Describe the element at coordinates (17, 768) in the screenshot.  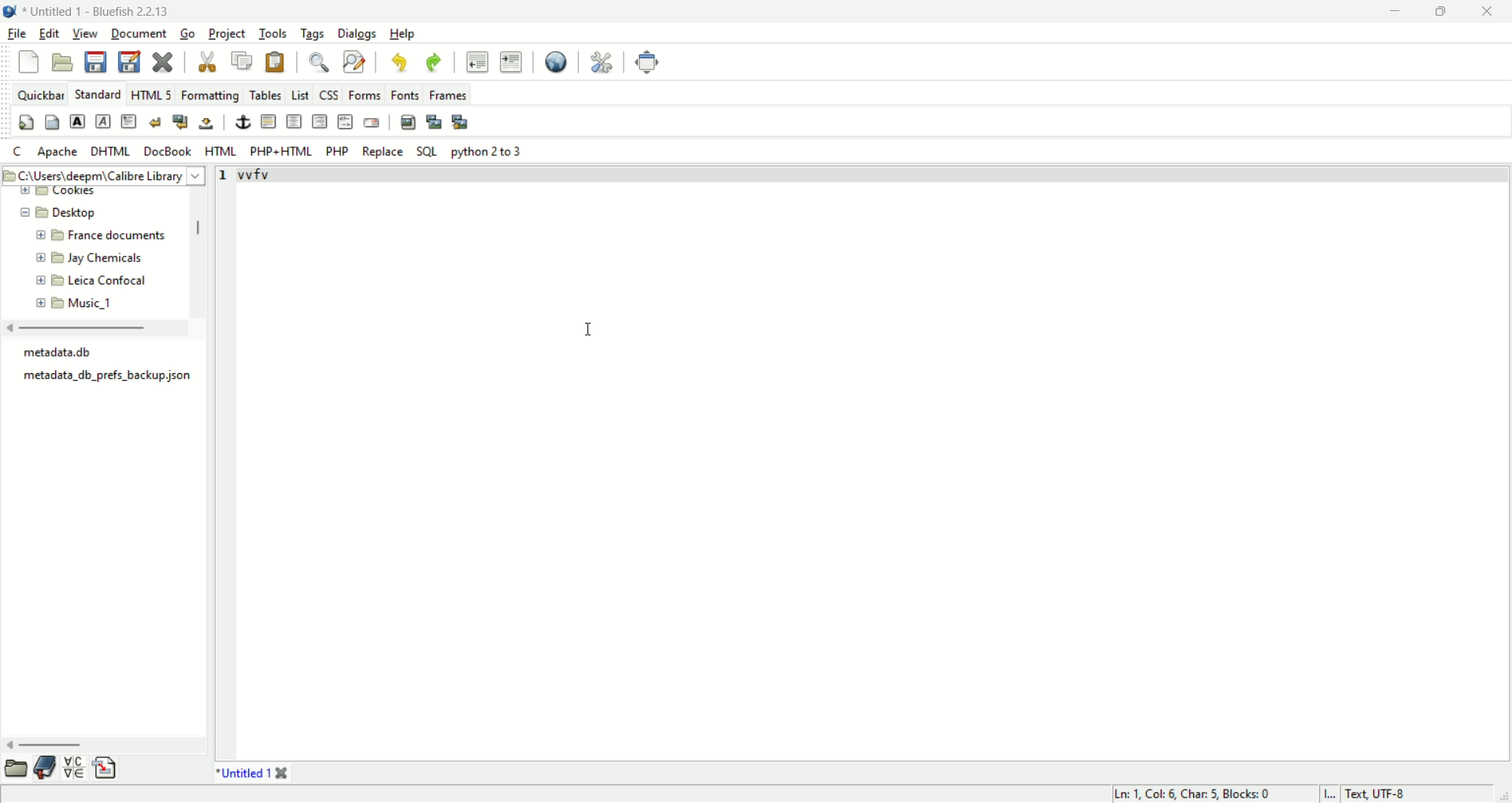
I see `browse file` at that location.